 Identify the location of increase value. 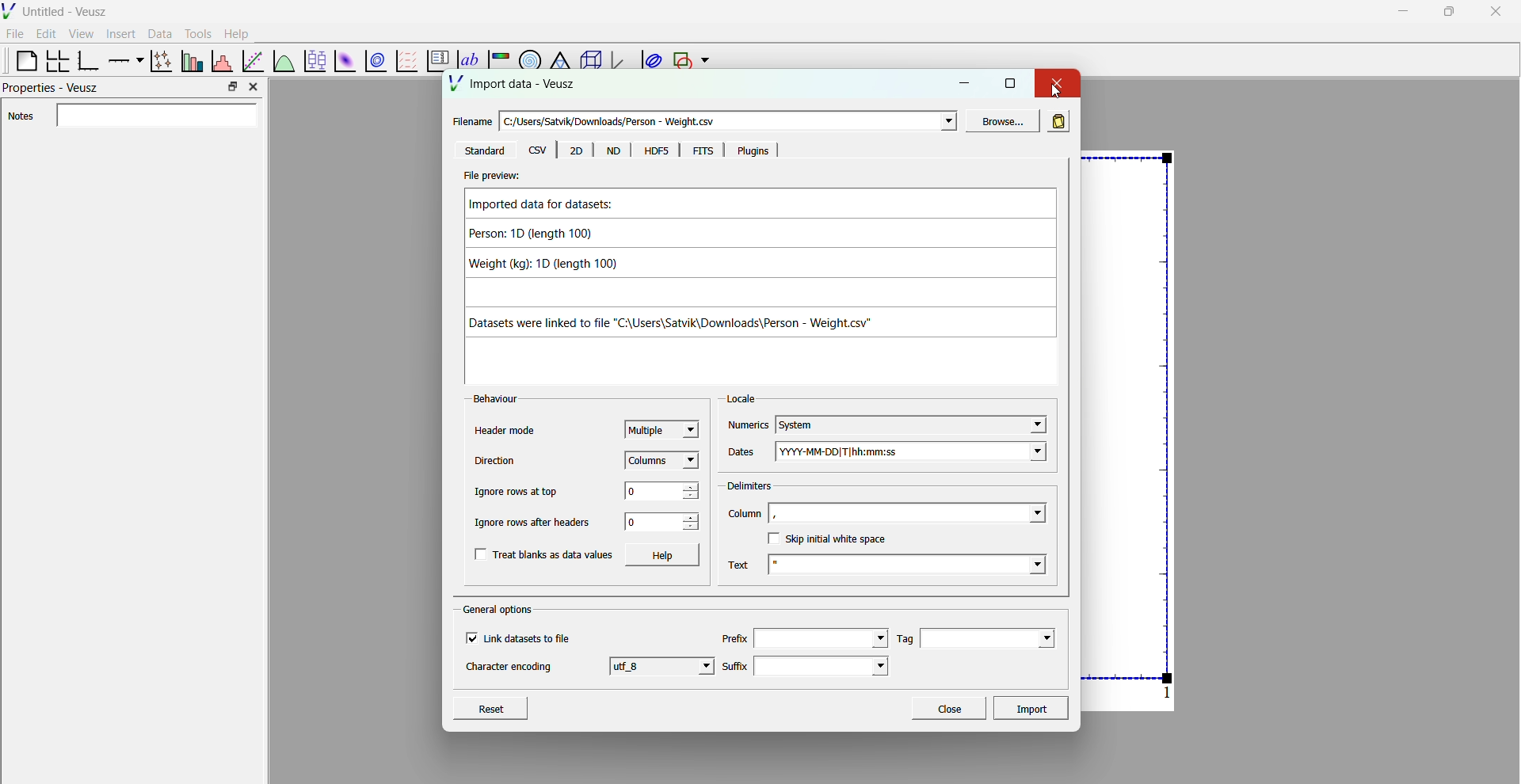
(693, 483).